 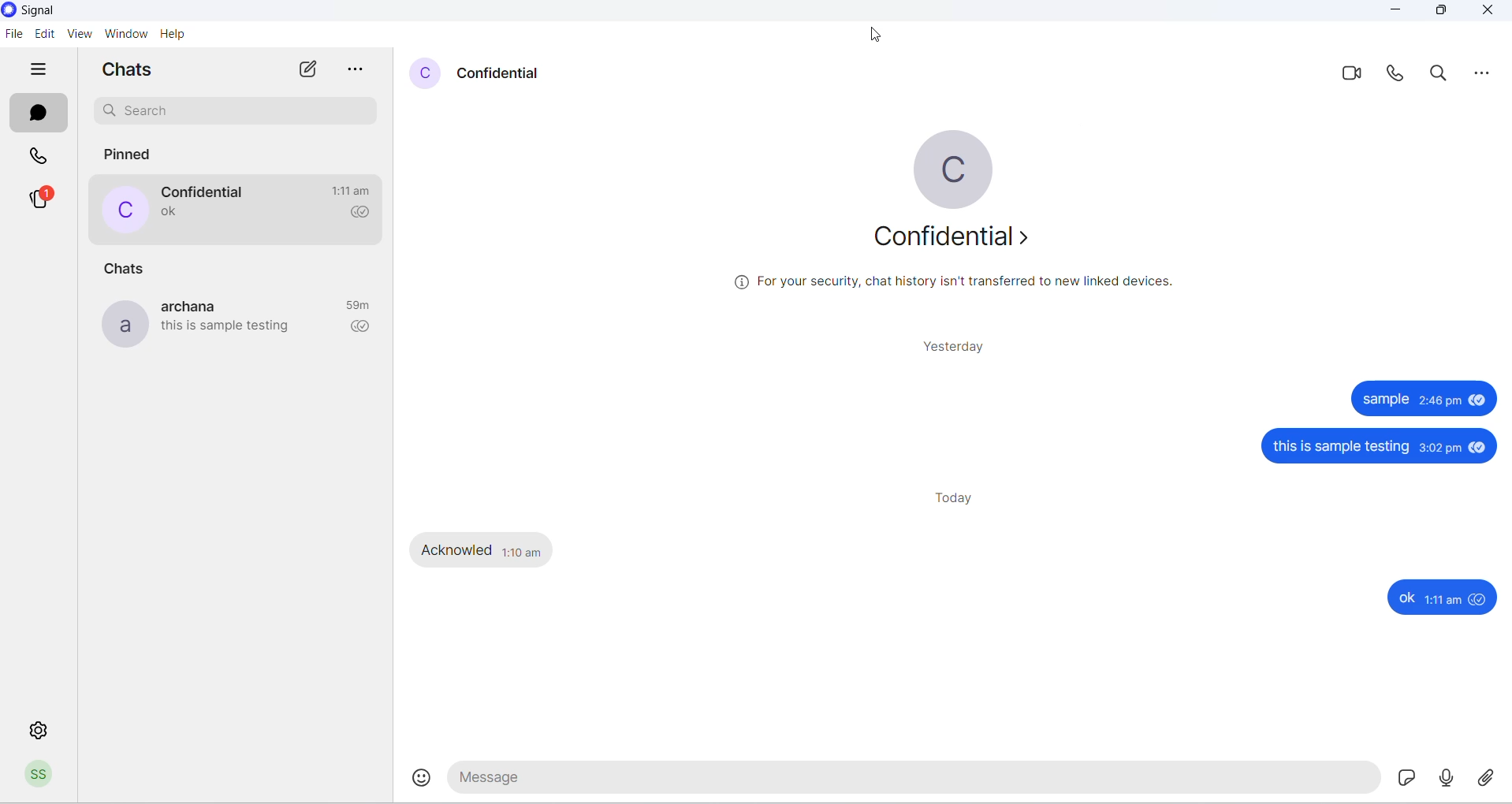 I want to click on last message timing, so click(x=358, y=190).